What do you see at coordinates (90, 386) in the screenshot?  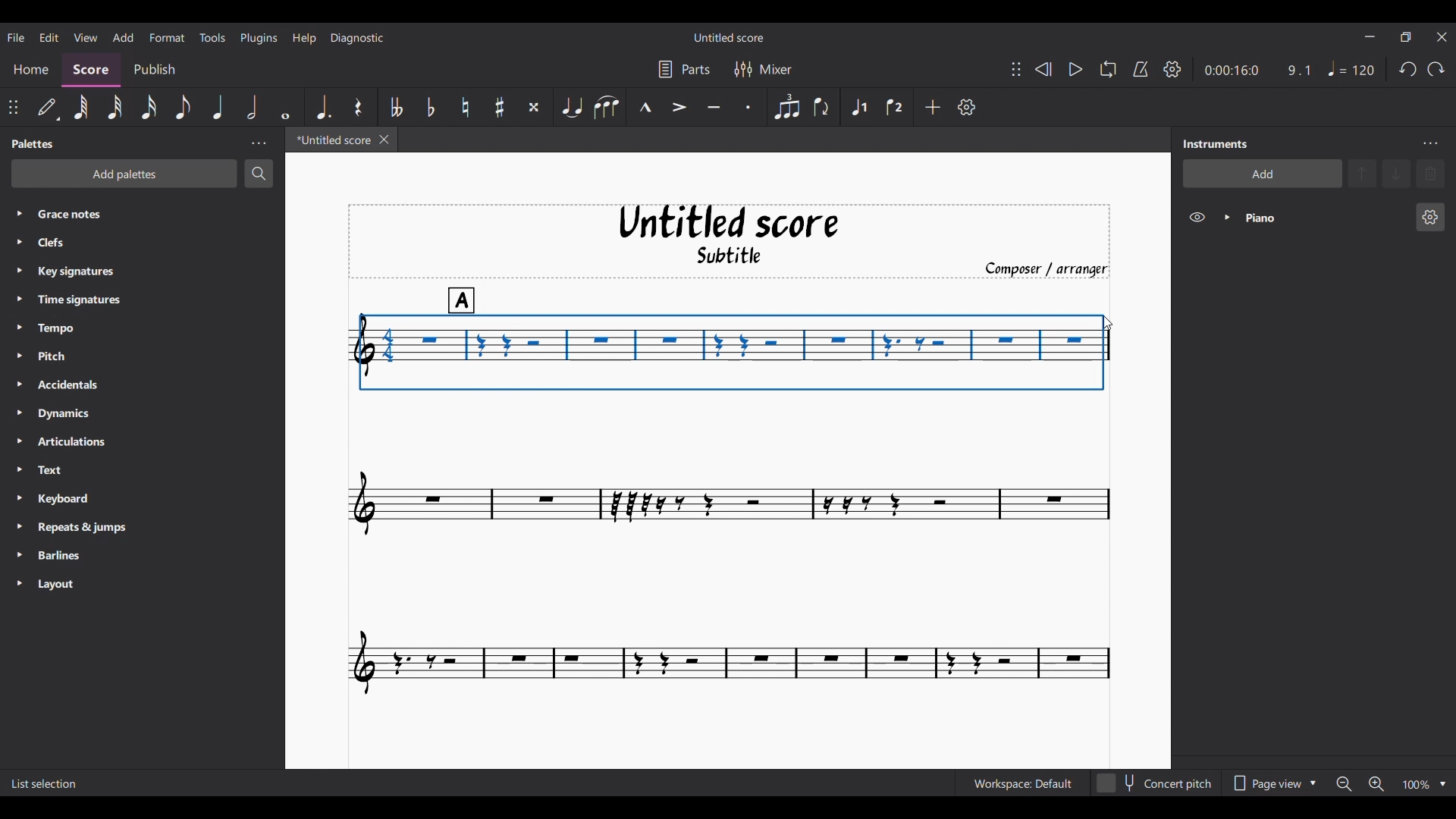 I see `Accidentals` at bounding box center [90, 386].